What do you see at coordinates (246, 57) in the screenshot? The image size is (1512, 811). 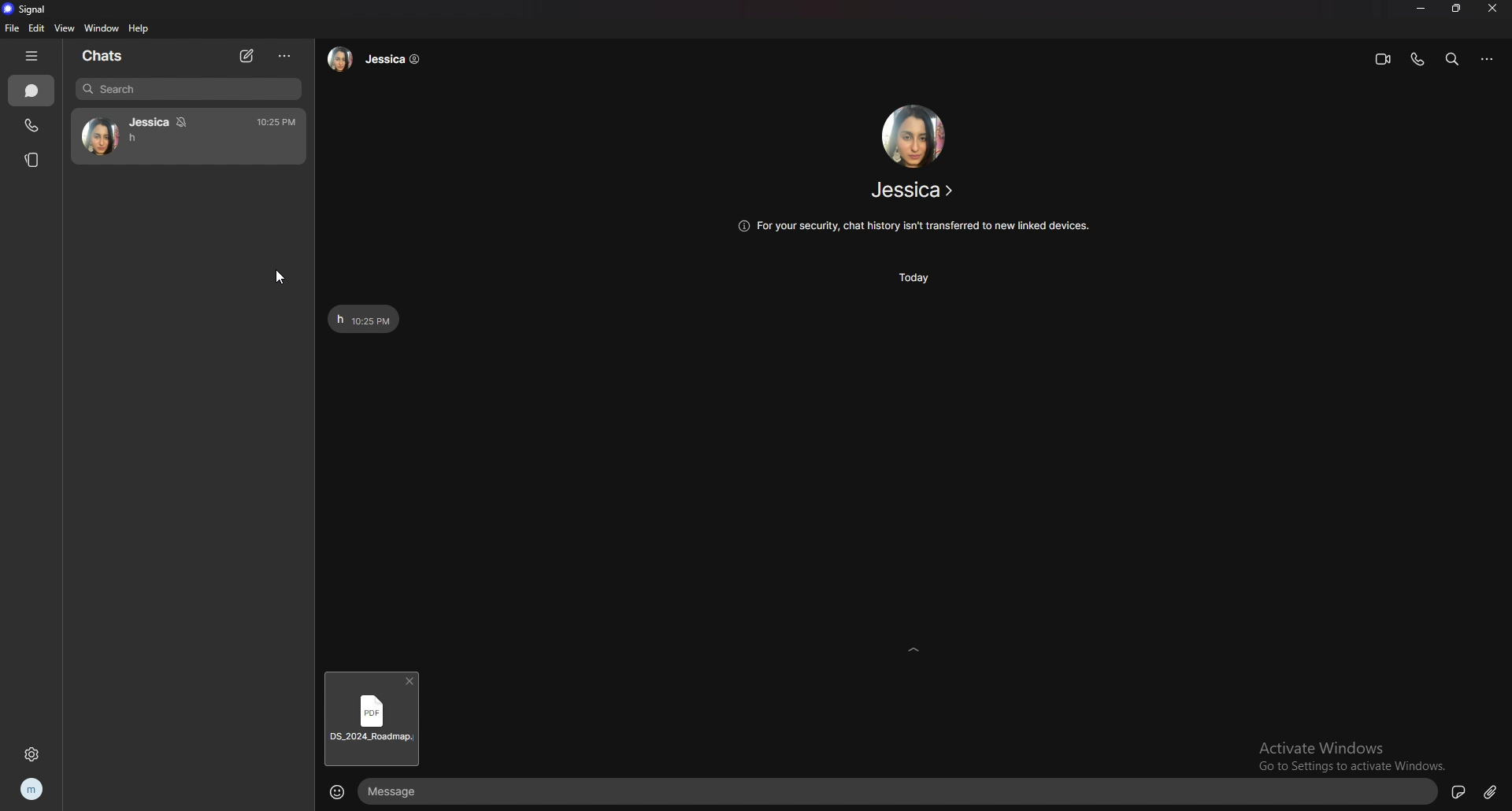 I see `new chat` at bounding box center [246, 57].